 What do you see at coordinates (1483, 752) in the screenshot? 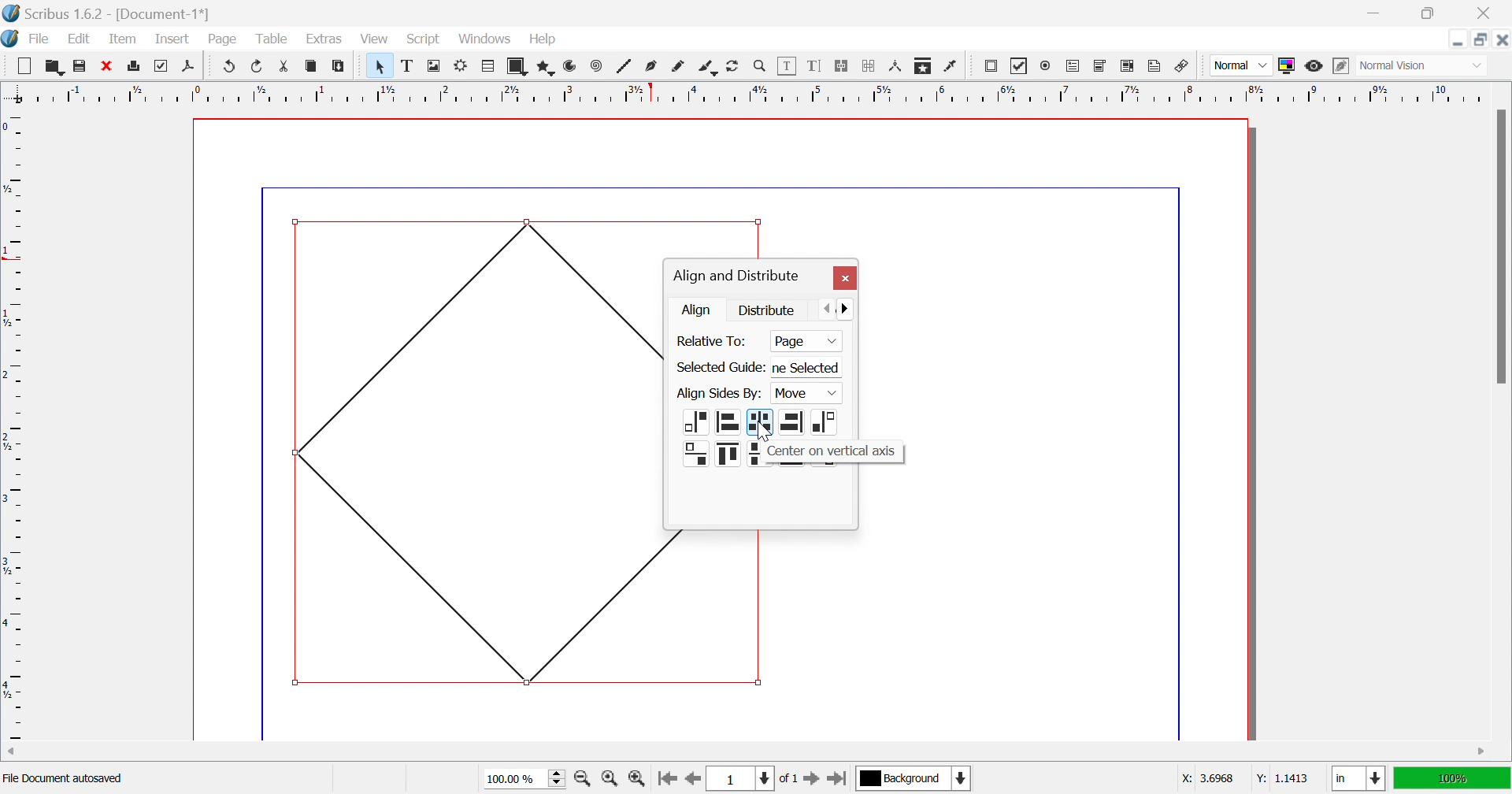
I see `Scroll right` at bounding box center [1483, 752].